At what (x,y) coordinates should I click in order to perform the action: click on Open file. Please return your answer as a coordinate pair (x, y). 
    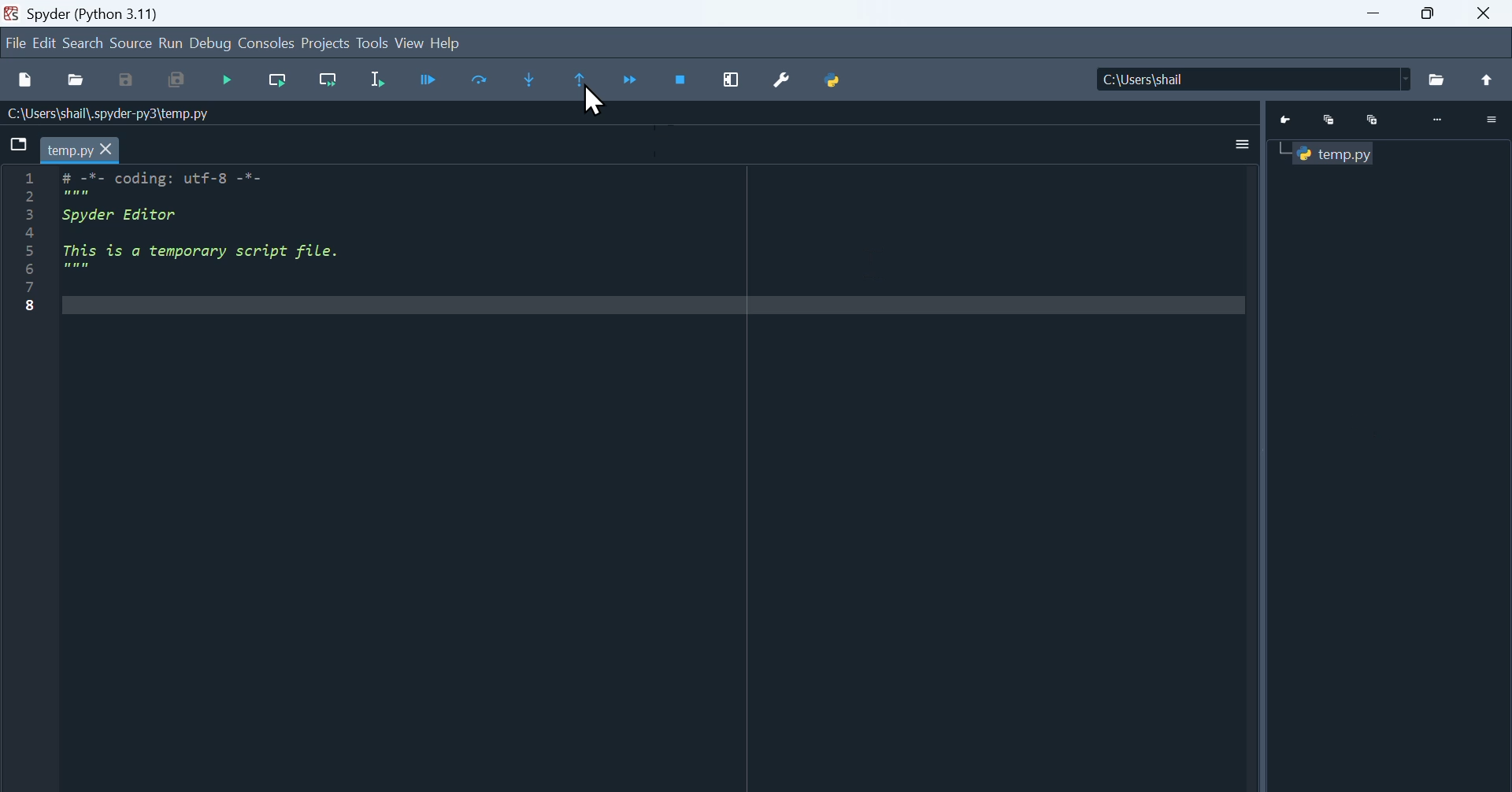
    Looking at the image, I should click on (76, 80).